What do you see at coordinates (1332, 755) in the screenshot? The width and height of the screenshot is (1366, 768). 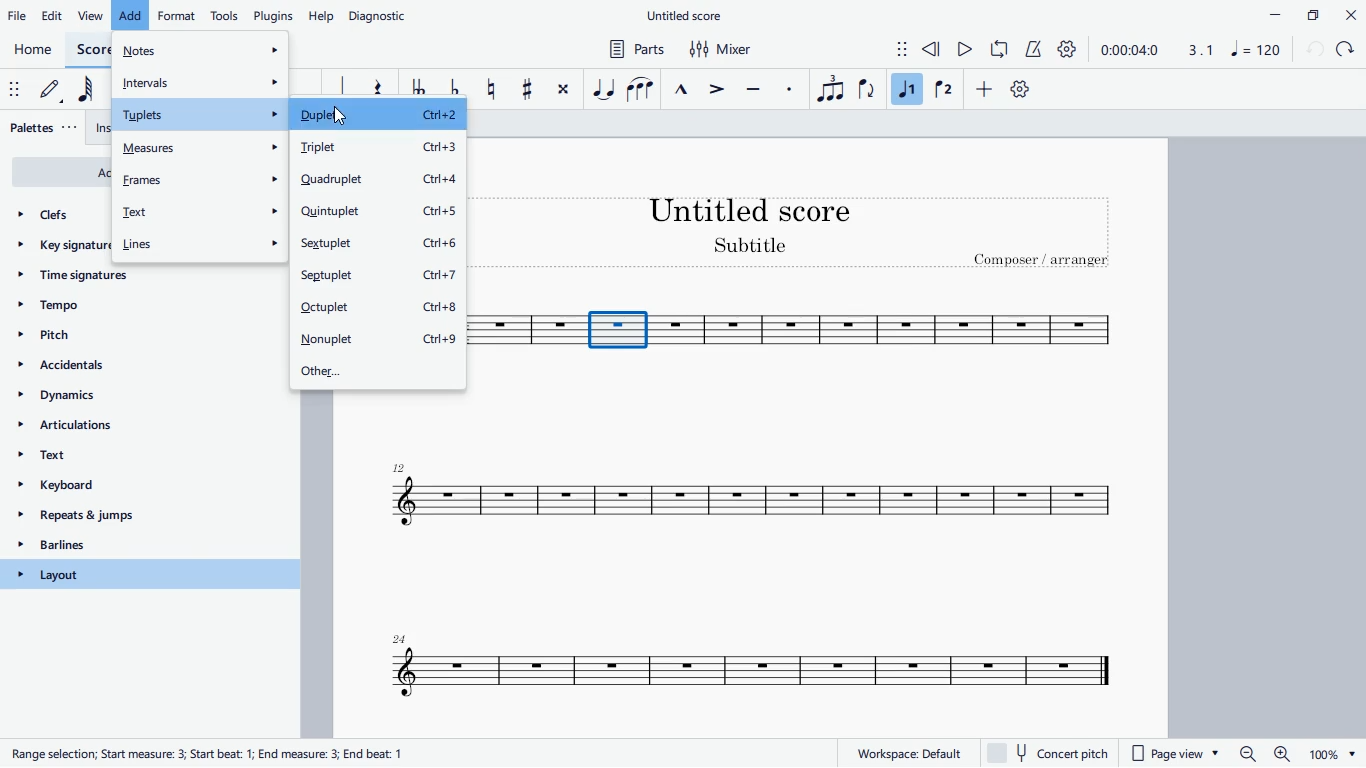 I see `page zoom level` at bounding box center [1332, 755].